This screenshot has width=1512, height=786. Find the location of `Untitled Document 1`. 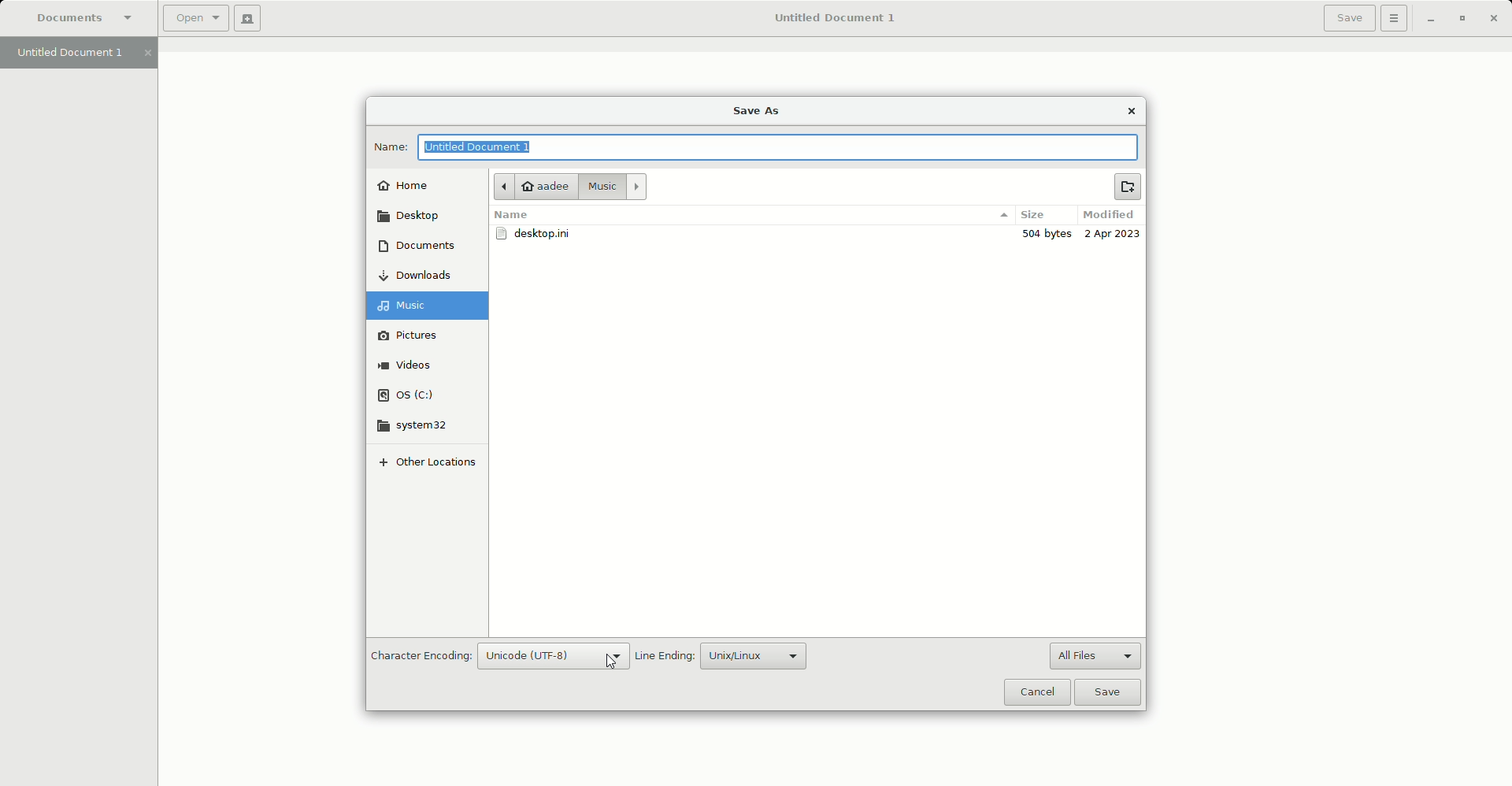

Untitled Document 1 is located at coordinates (83, 54).